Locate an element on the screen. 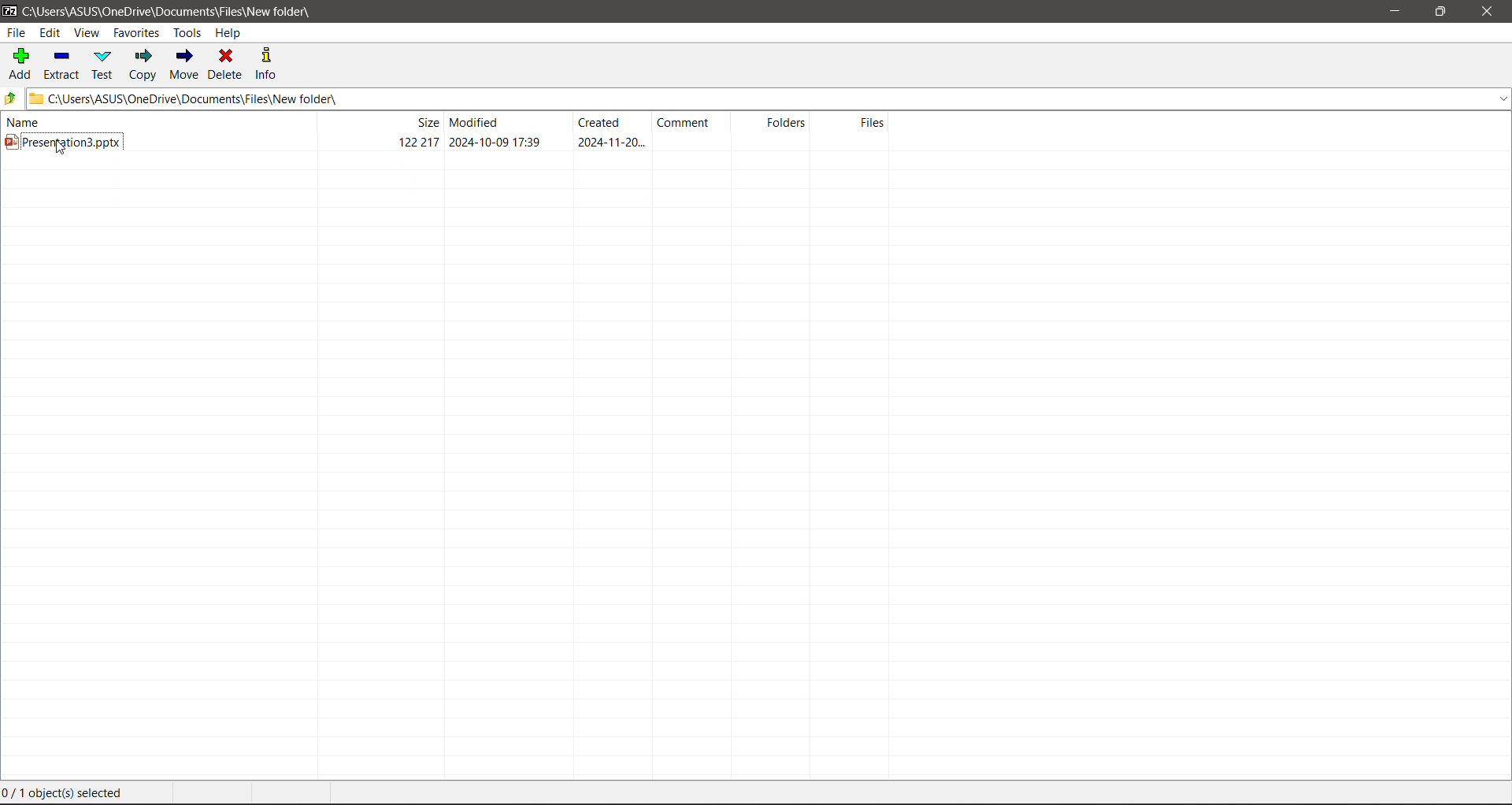  Comment is located at coordinates (695, 122).